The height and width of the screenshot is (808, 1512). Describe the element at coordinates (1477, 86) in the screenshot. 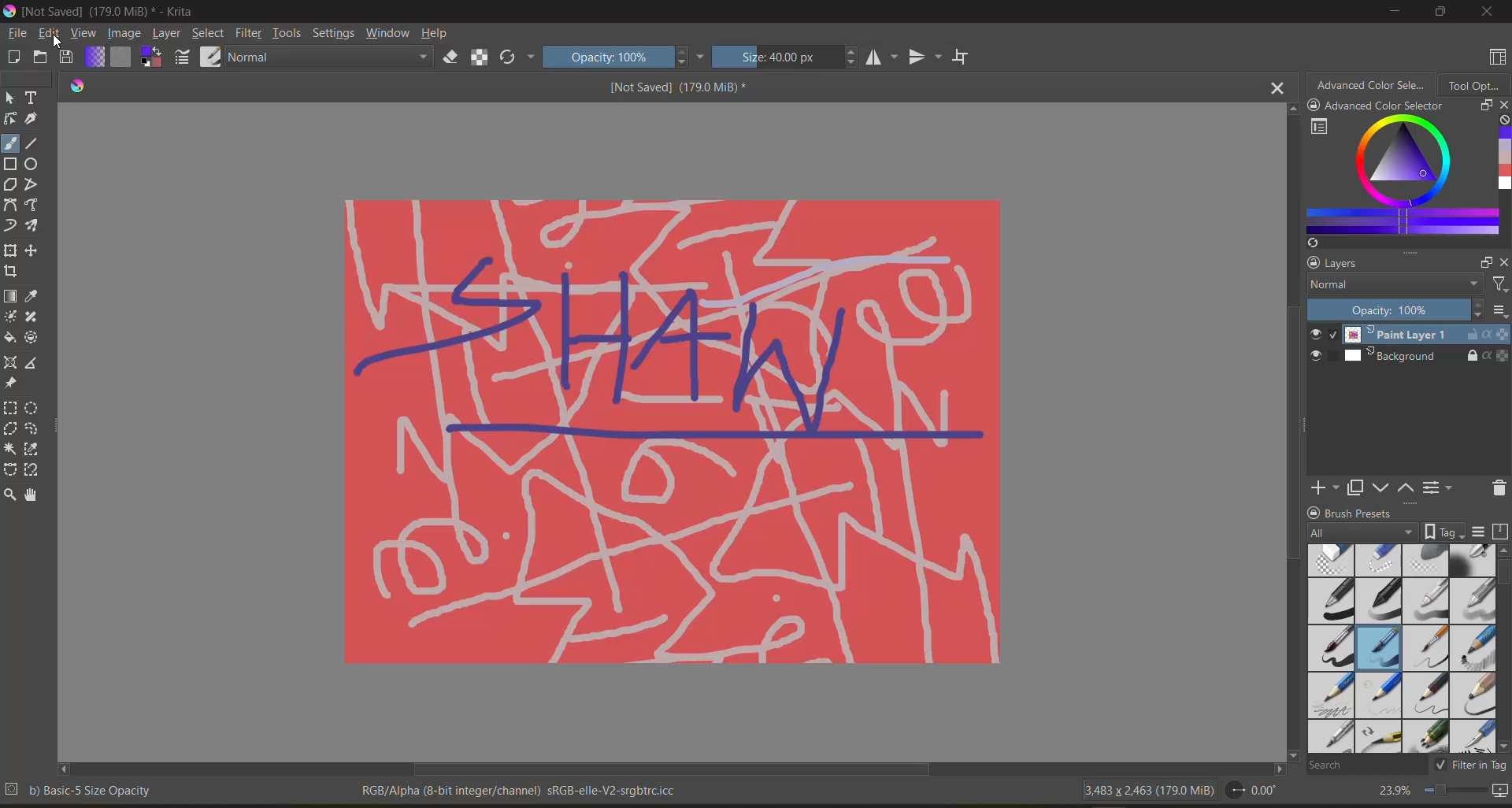

I see `tool options` at that location.